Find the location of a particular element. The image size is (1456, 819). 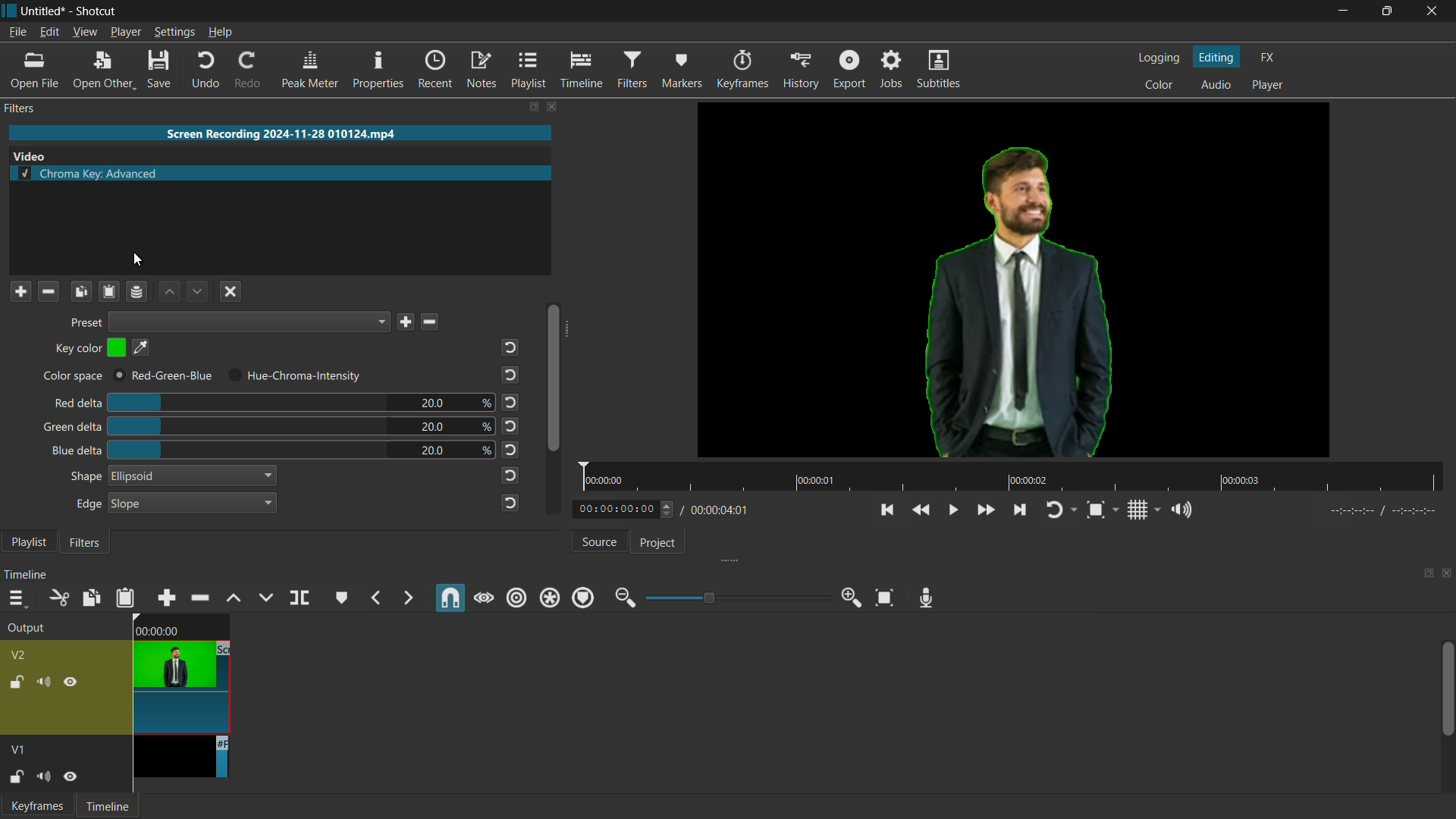

adjustment bar is located at coordinates (736, 597).